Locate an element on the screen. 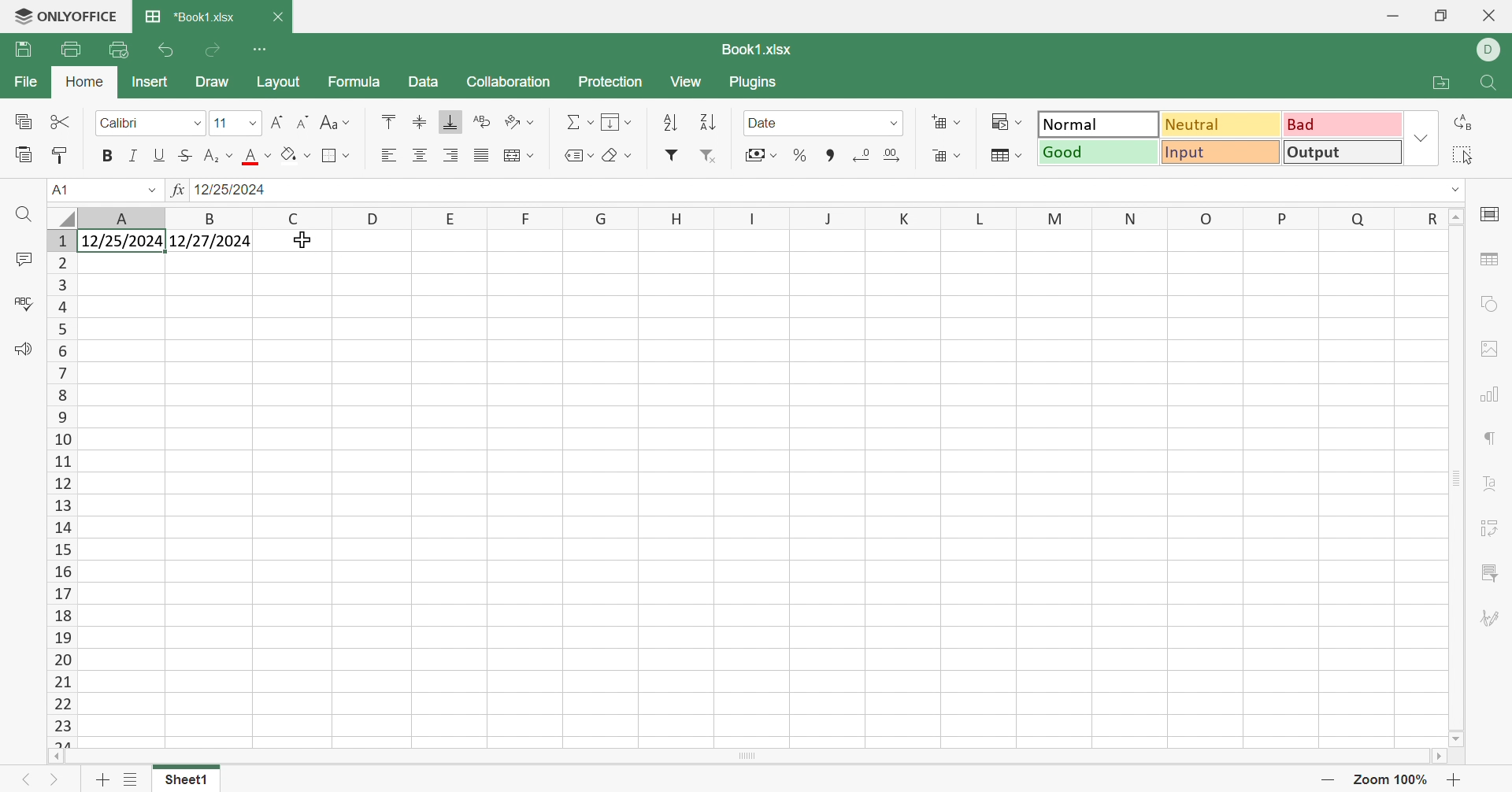 The width and height of the screenshot is (1512, 792). Next is located at coordinates (55, 777).